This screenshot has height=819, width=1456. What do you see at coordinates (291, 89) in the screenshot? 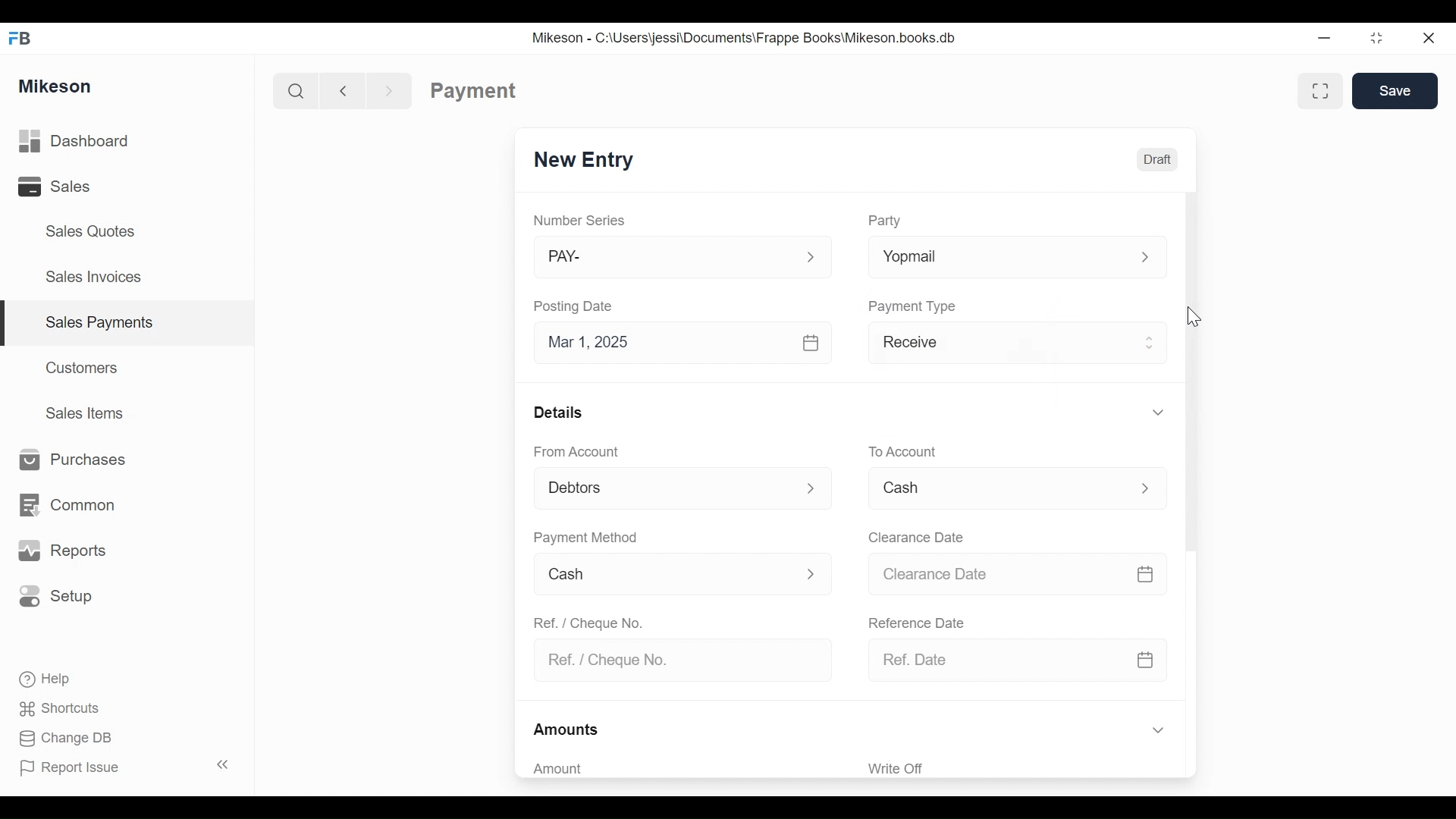
I see `Search` at bounding box center [291, 89].